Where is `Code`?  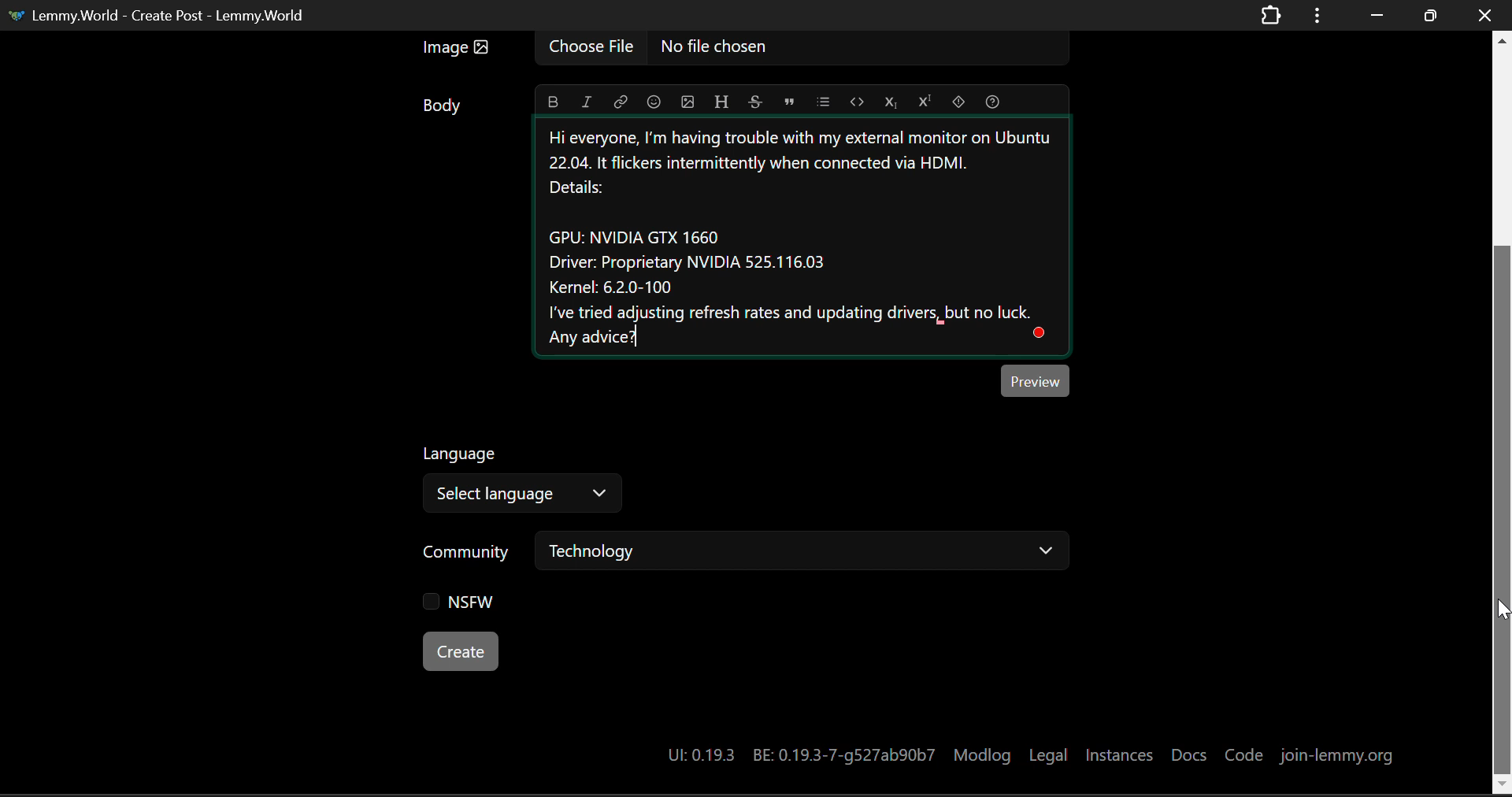
Code is located at coordinates (1243, 753).